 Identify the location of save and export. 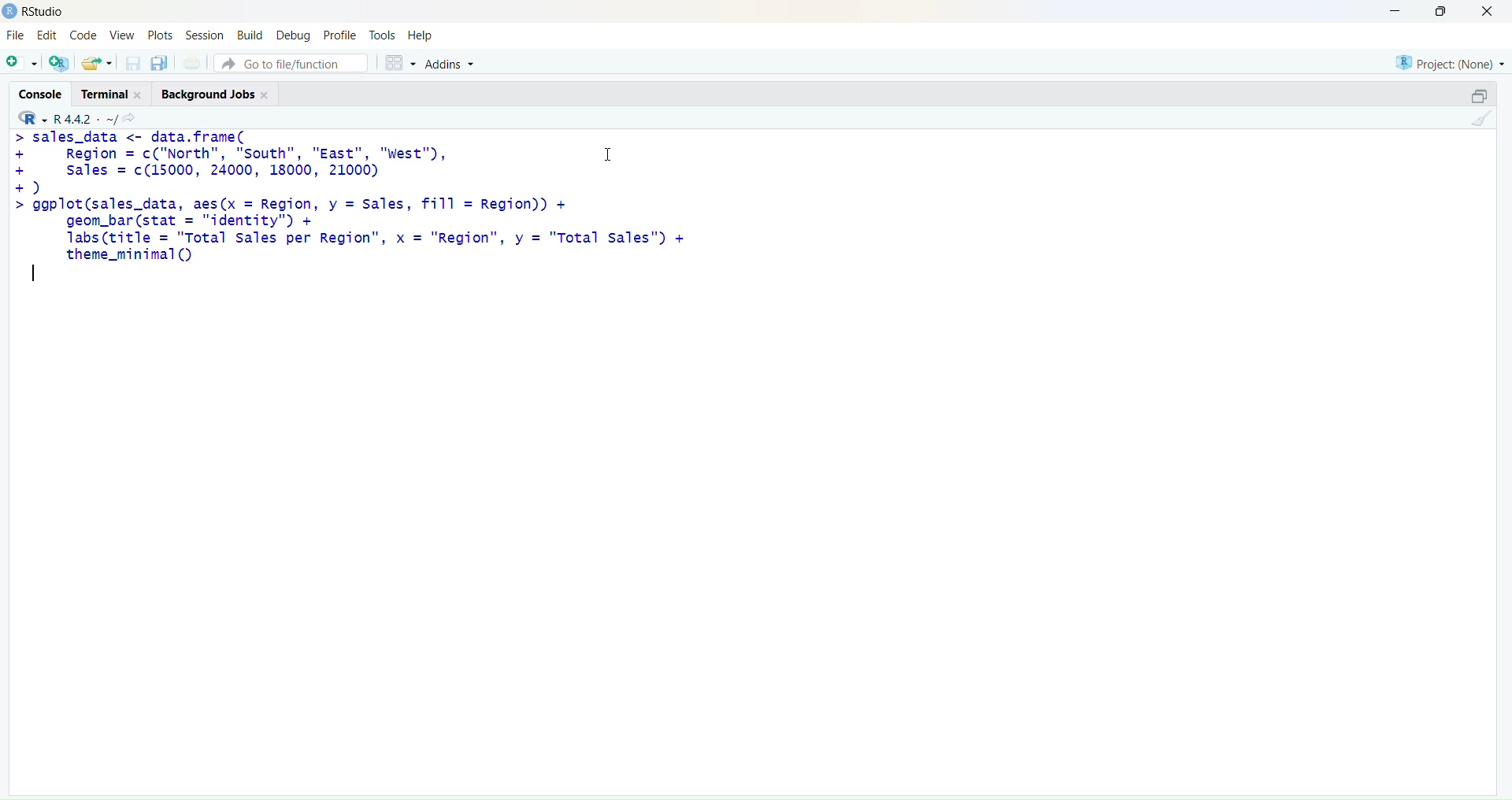
(96, 64).